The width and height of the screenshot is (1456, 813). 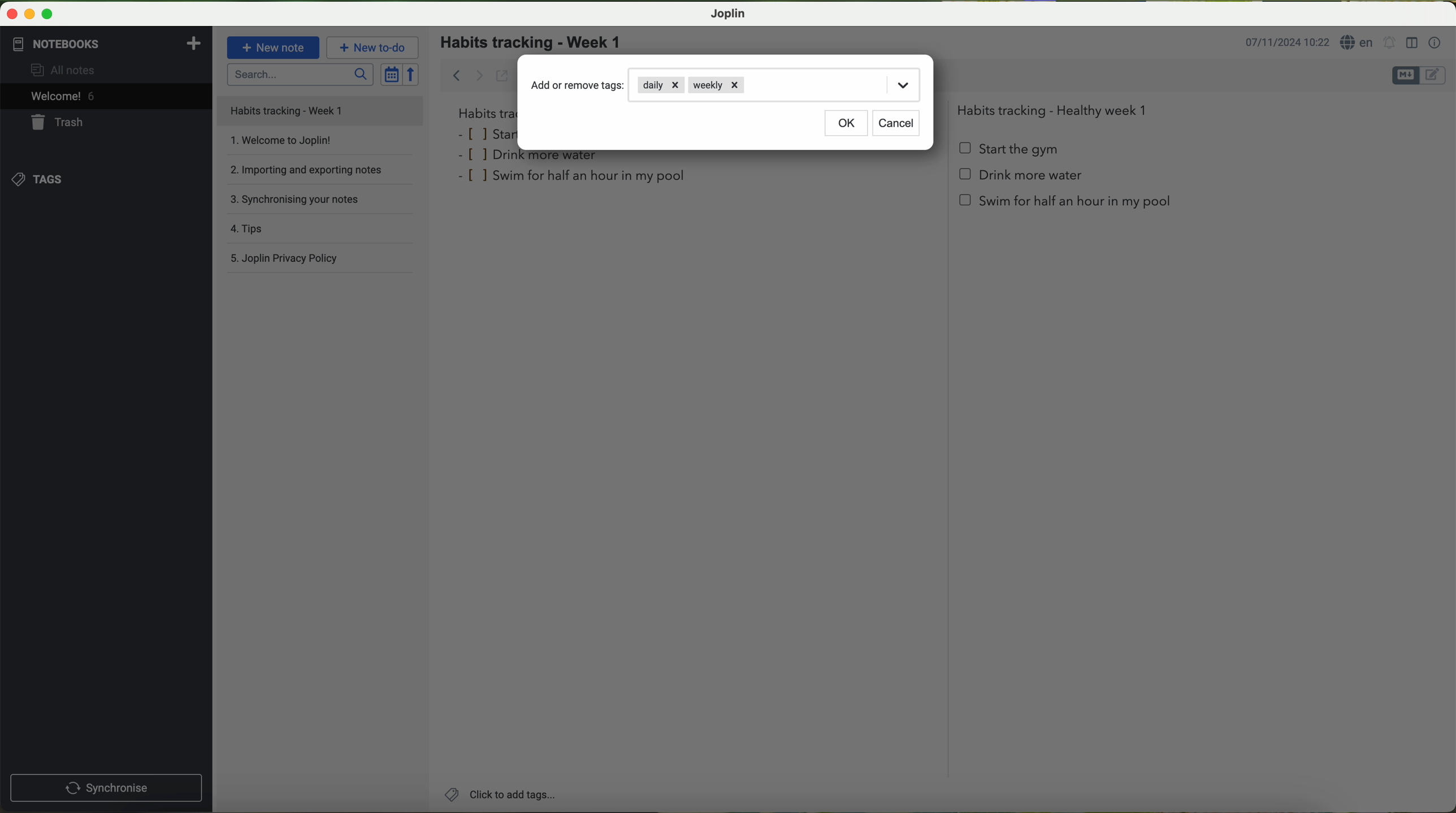 What do you see at coordinates (38, 180) in the screenshot?
I see `tags` at bounding box center [38, 180].